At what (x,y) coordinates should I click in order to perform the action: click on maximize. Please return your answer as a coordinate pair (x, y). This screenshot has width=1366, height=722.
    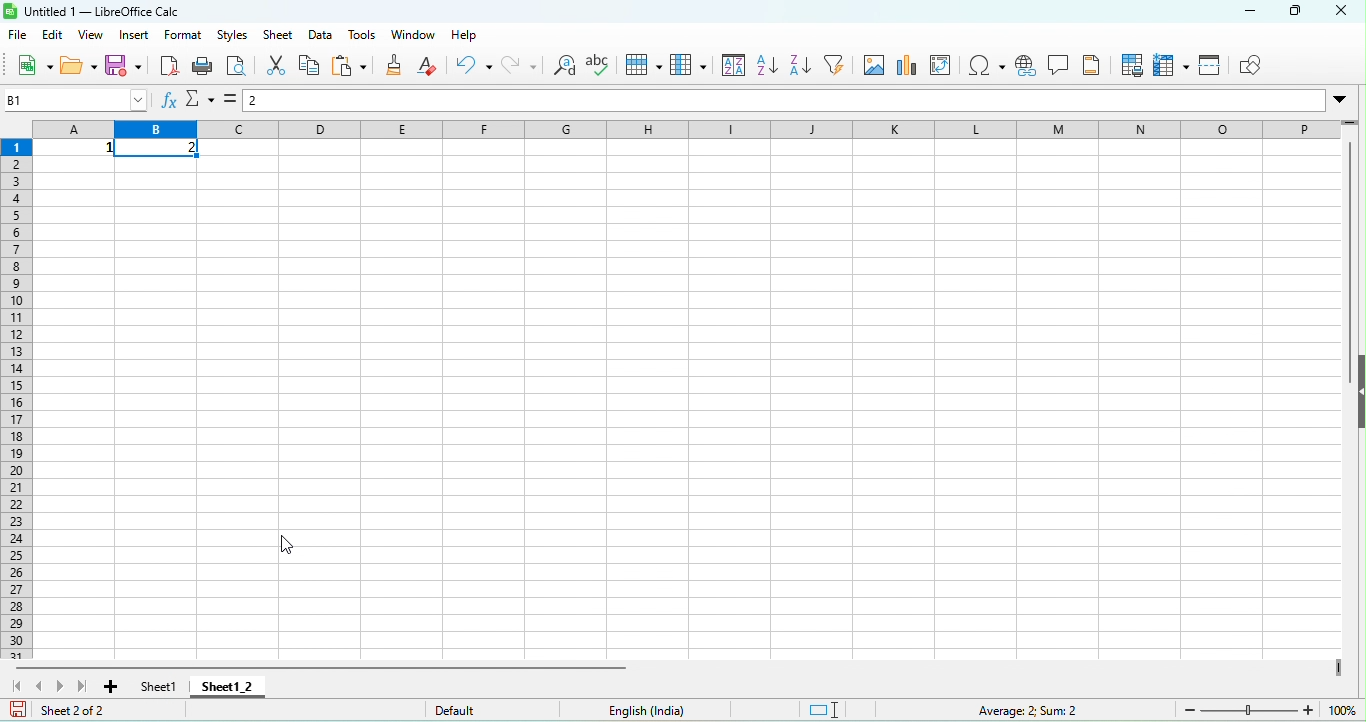
    Looking at the image, I should click on (1296, 13).